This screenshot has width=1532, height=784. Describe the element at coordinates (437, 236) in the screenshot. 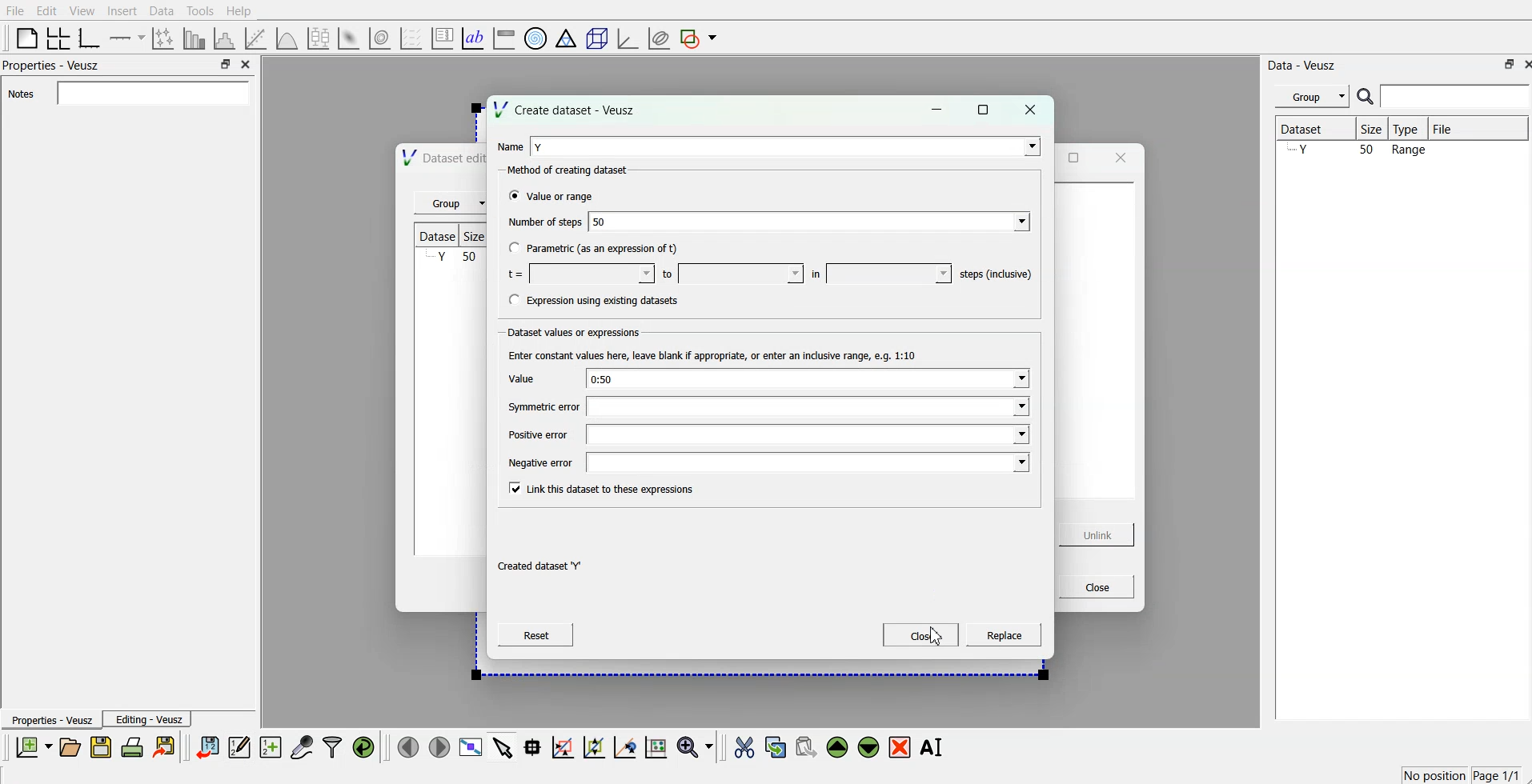

I see `Dataset` at that location.